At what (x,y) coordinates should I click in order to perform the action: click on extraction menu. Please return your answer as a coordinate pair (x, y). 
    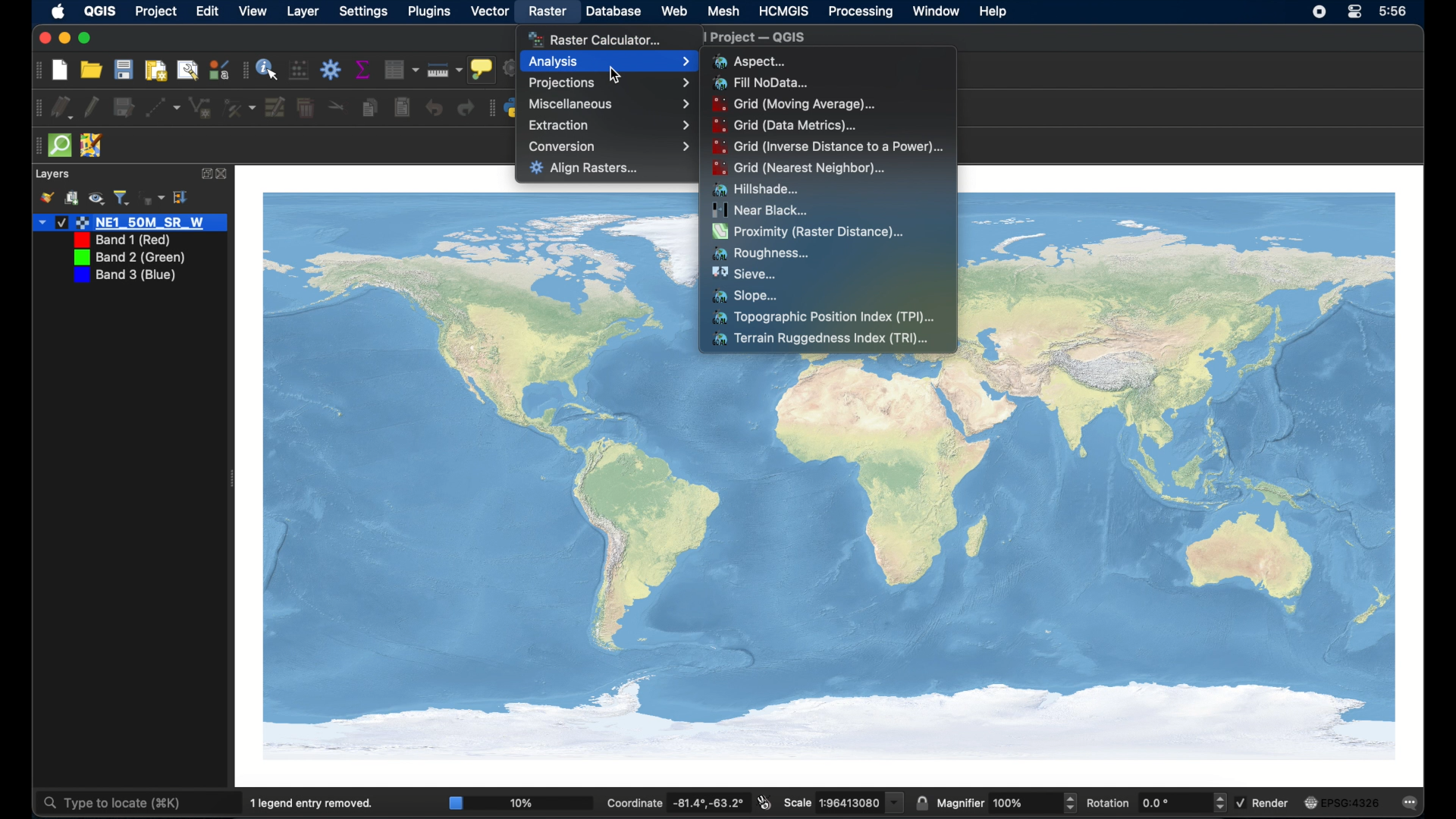
    Looking at the image, I should click on (609, 124).